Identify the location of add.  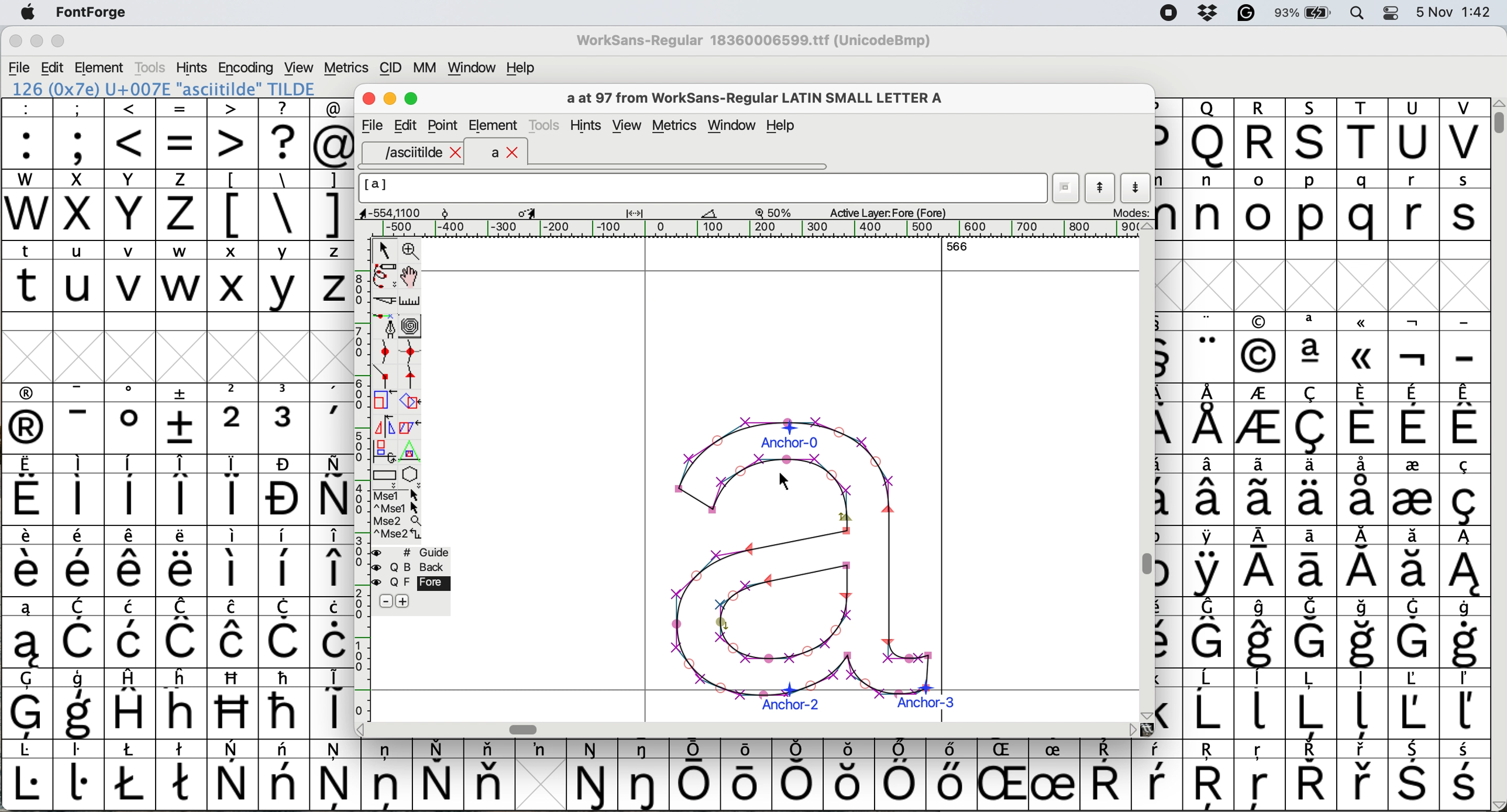
(404, 601).